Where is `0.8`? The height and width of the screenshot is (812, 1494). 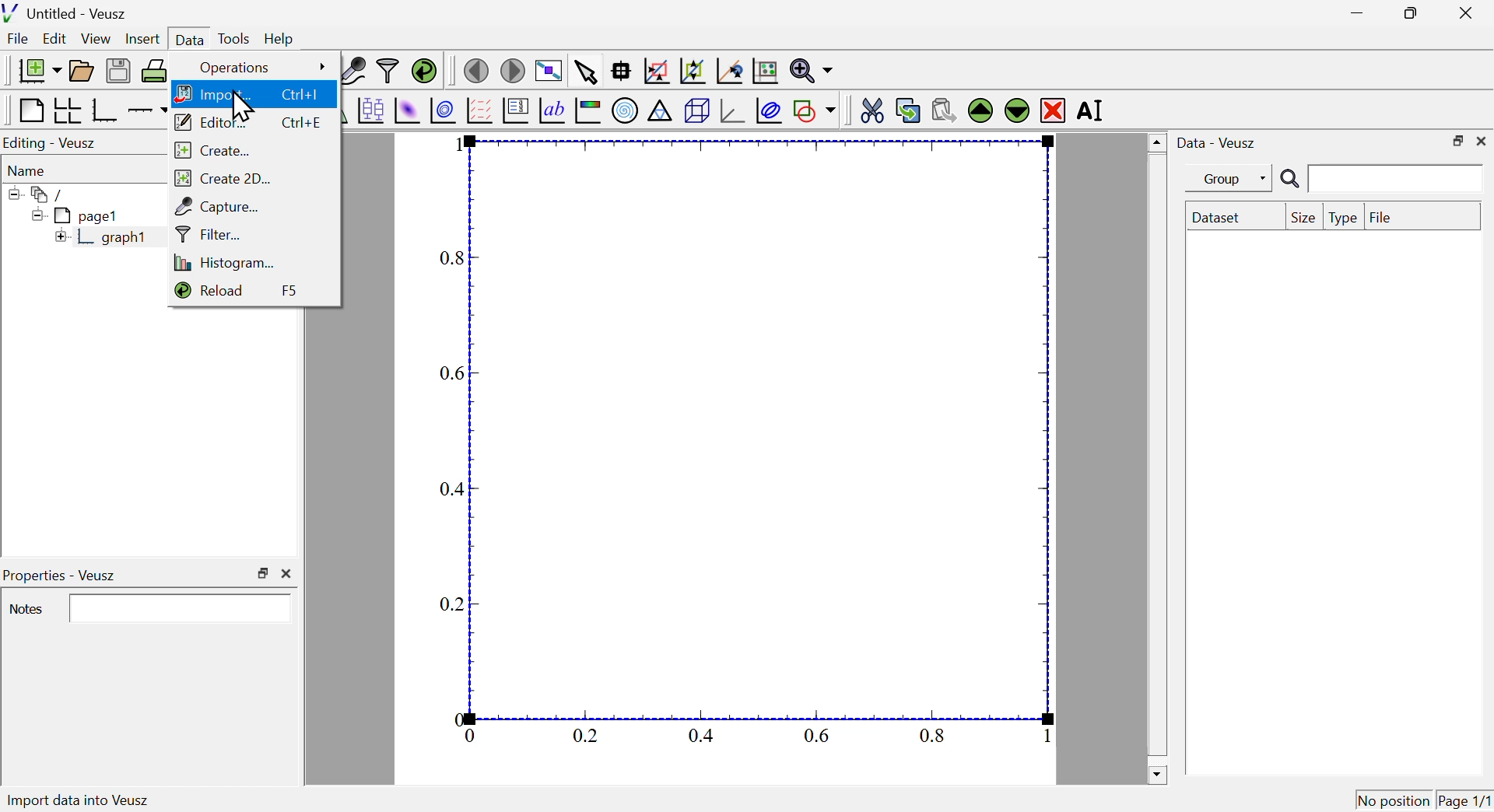 0.8 is located at coordinates (454, 259).